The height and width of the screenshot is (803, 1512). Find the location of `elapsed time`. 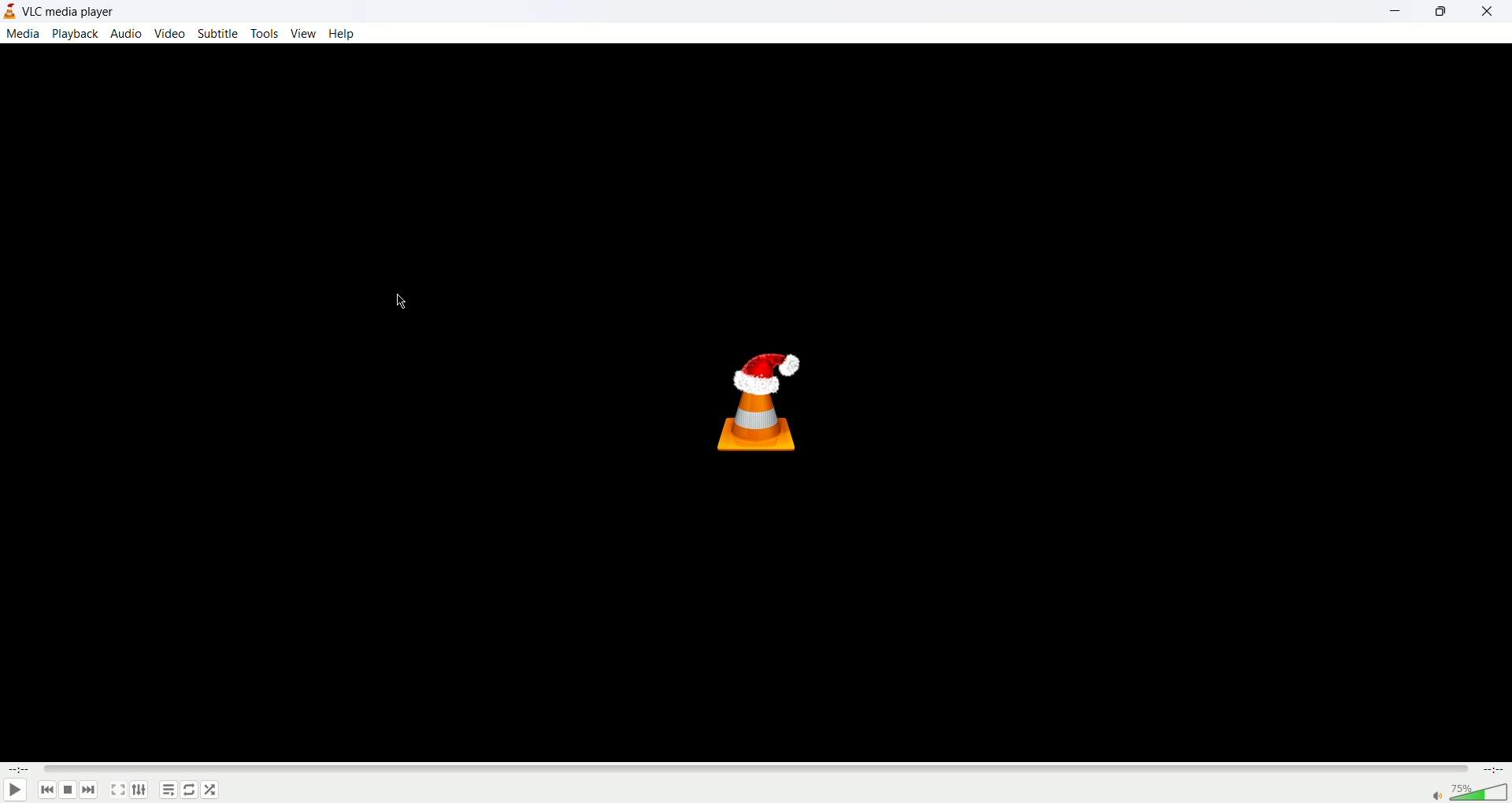

elapsed time is located at coordinates (20, 770).